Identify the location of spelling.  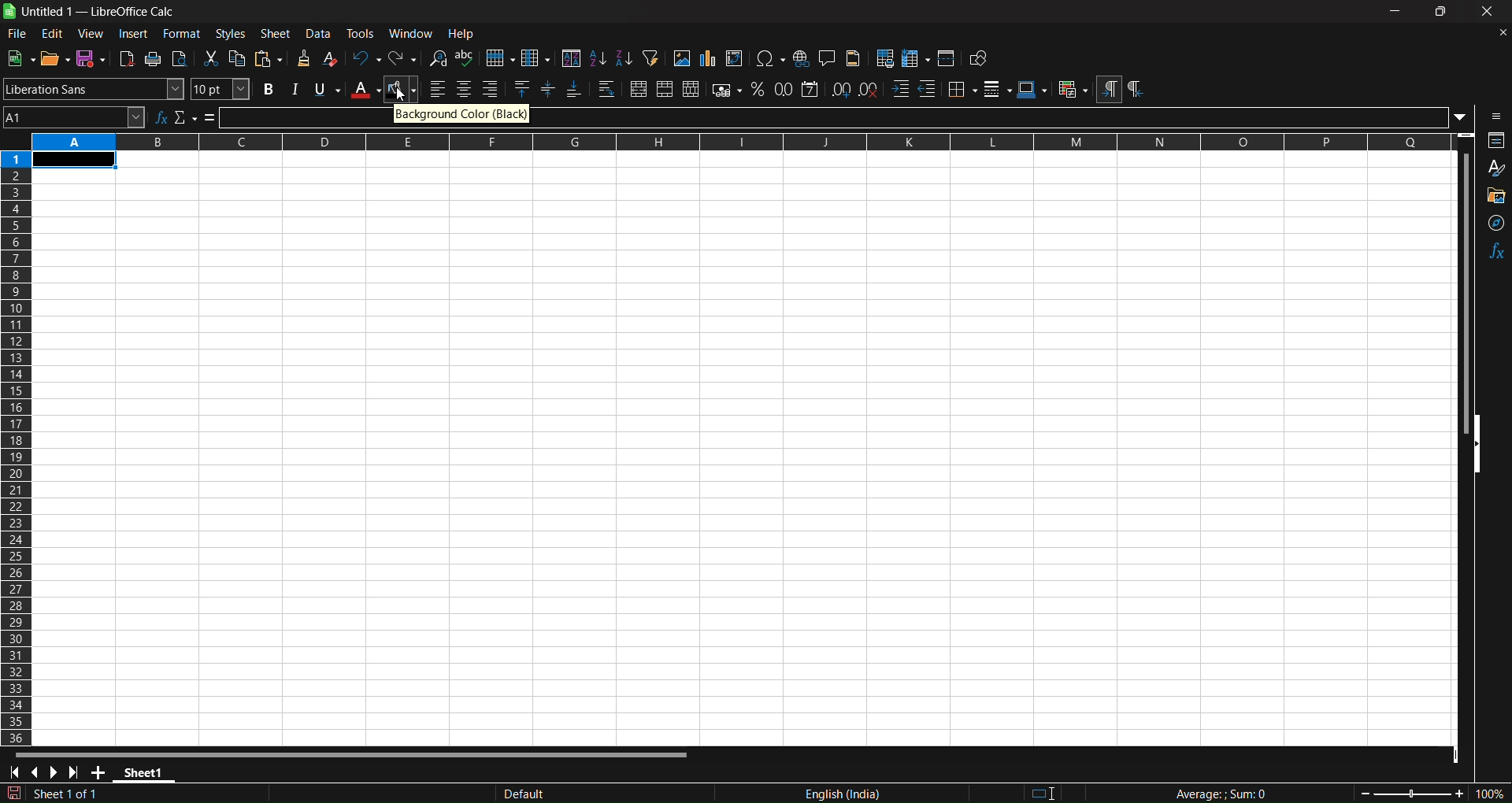
(466, 57).